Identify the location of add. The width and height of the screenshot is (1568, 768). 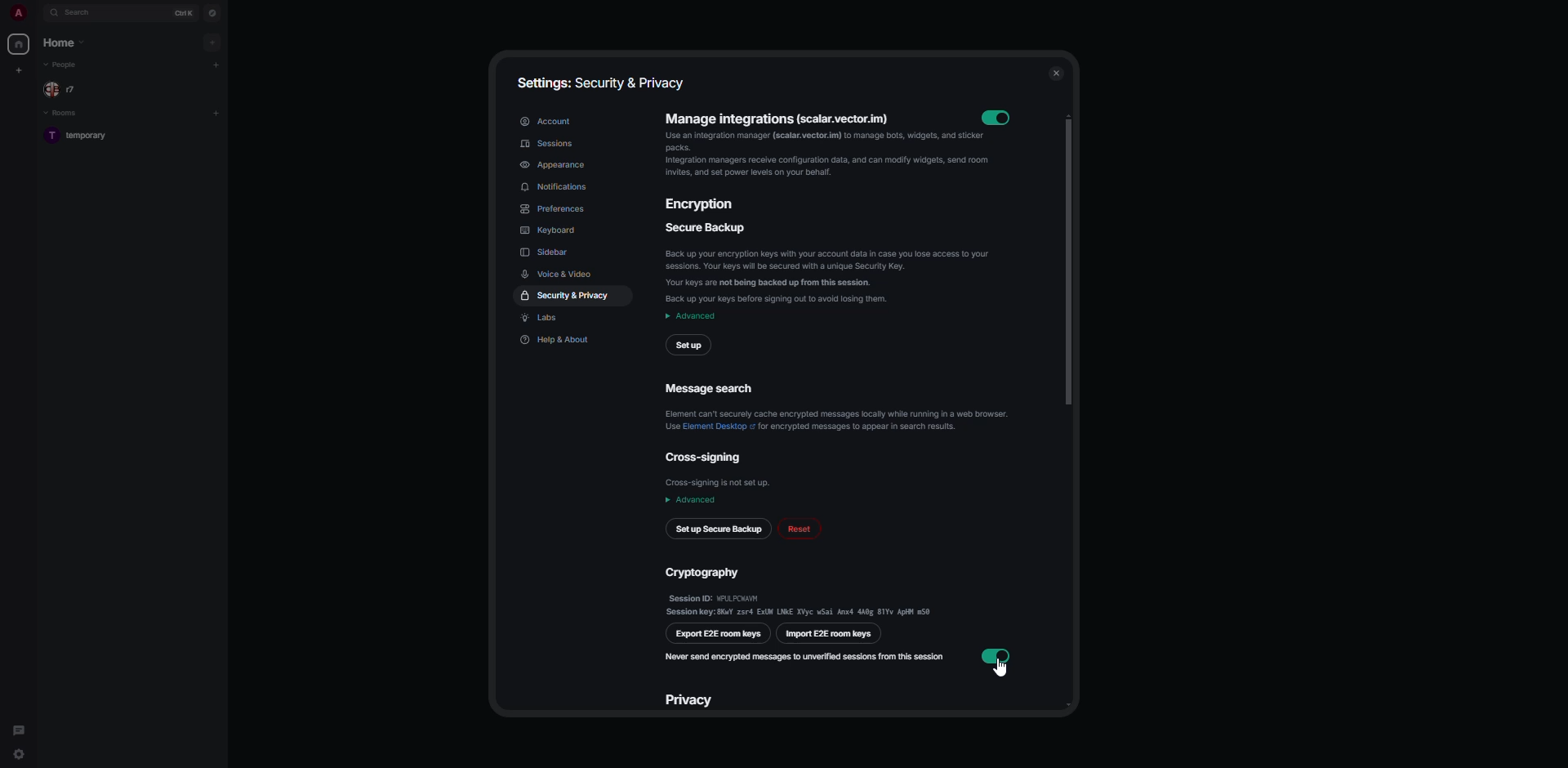
(216, 64).